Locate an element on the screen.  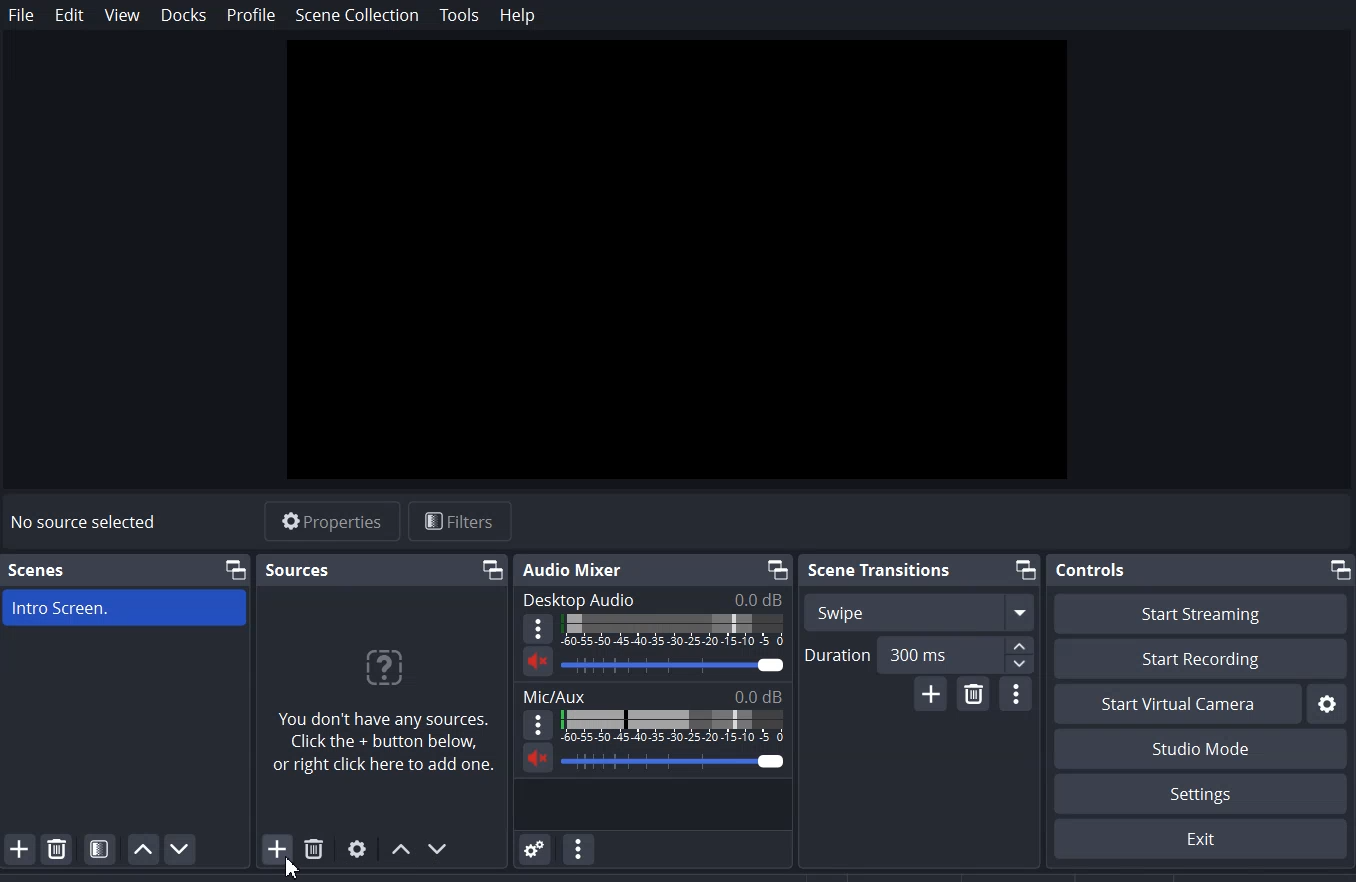
Open source Properties is located at coordinates (357, 849).